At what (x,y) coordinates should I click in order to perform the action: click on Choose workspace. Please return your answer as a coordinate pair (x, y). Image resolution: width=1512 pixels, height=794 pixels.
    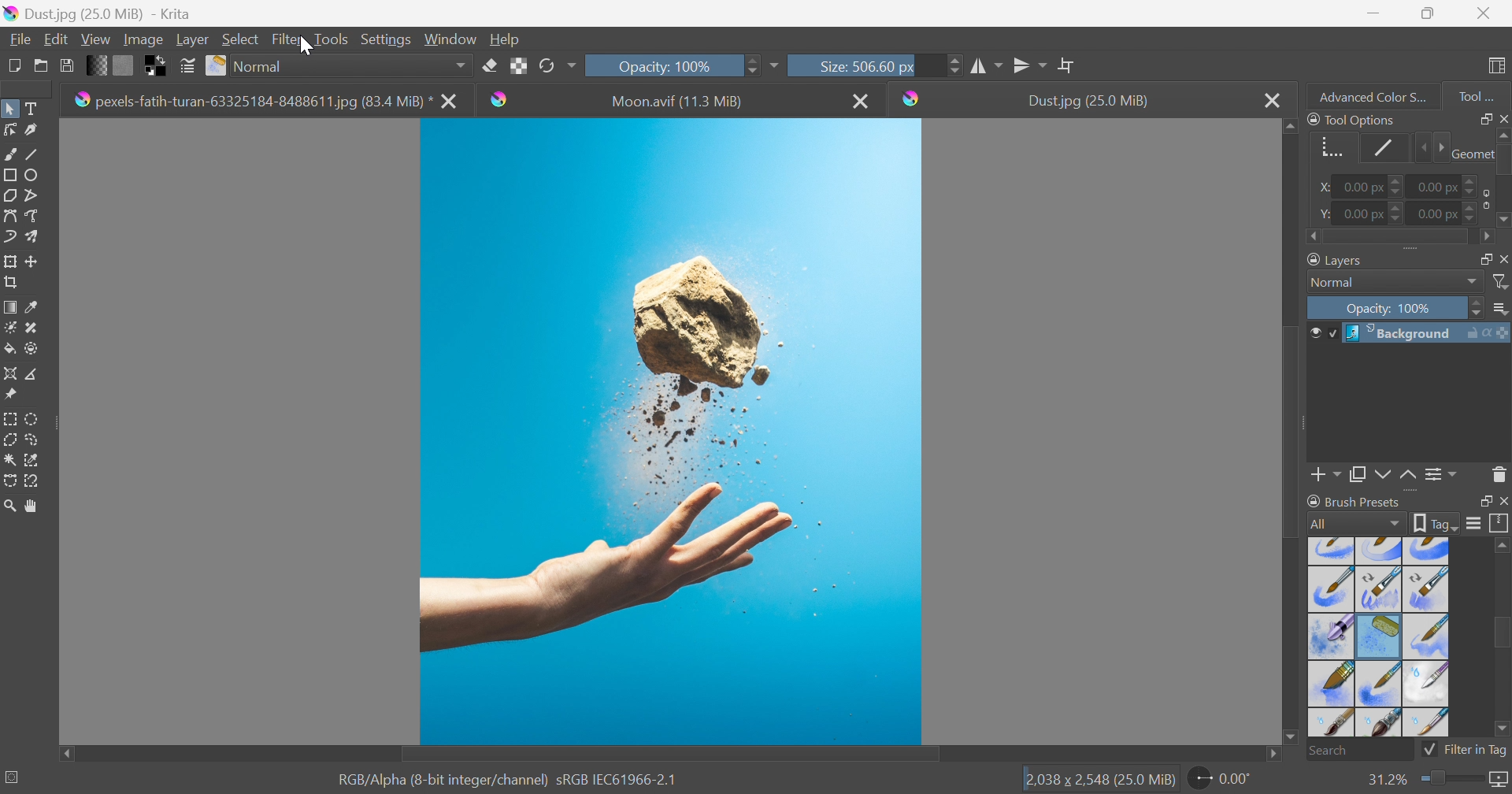
    Looking at the image, I should click on (1499, 66).